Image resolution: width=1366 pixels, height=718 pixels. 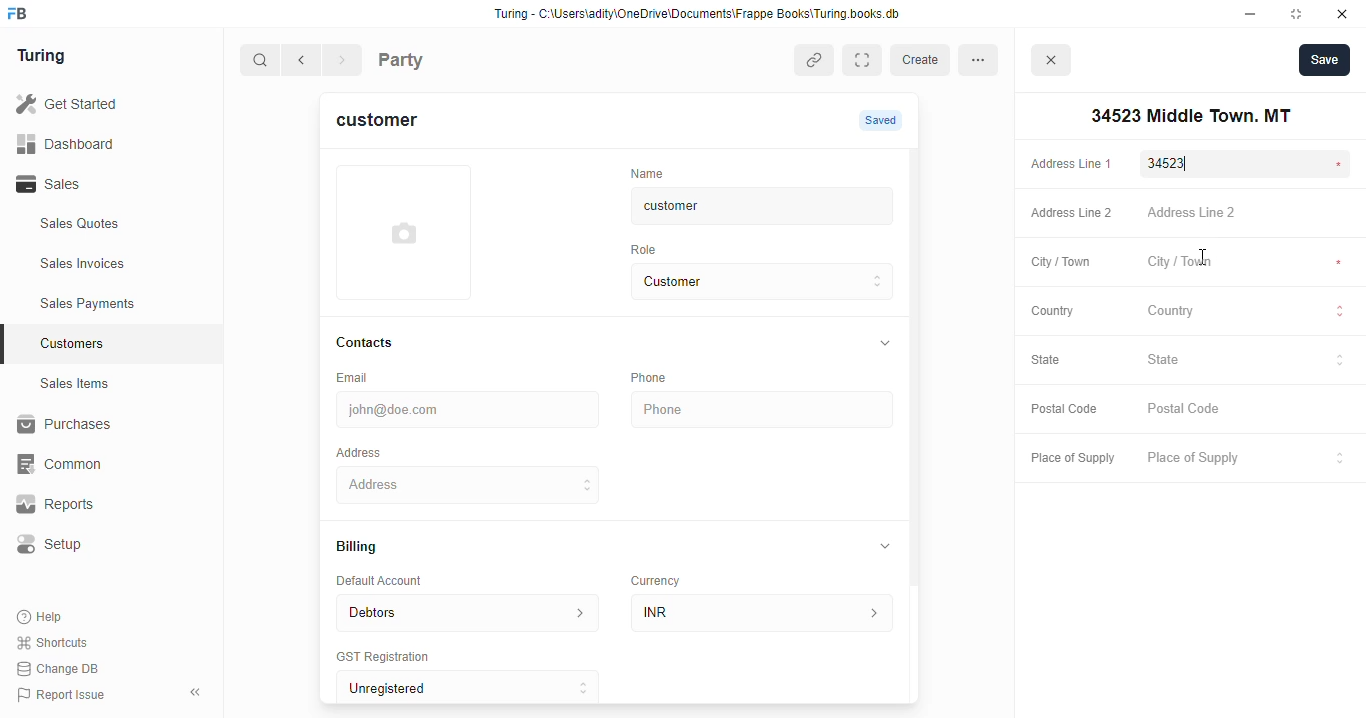 I want to click on Sales Items., so click(x=111, y=384).